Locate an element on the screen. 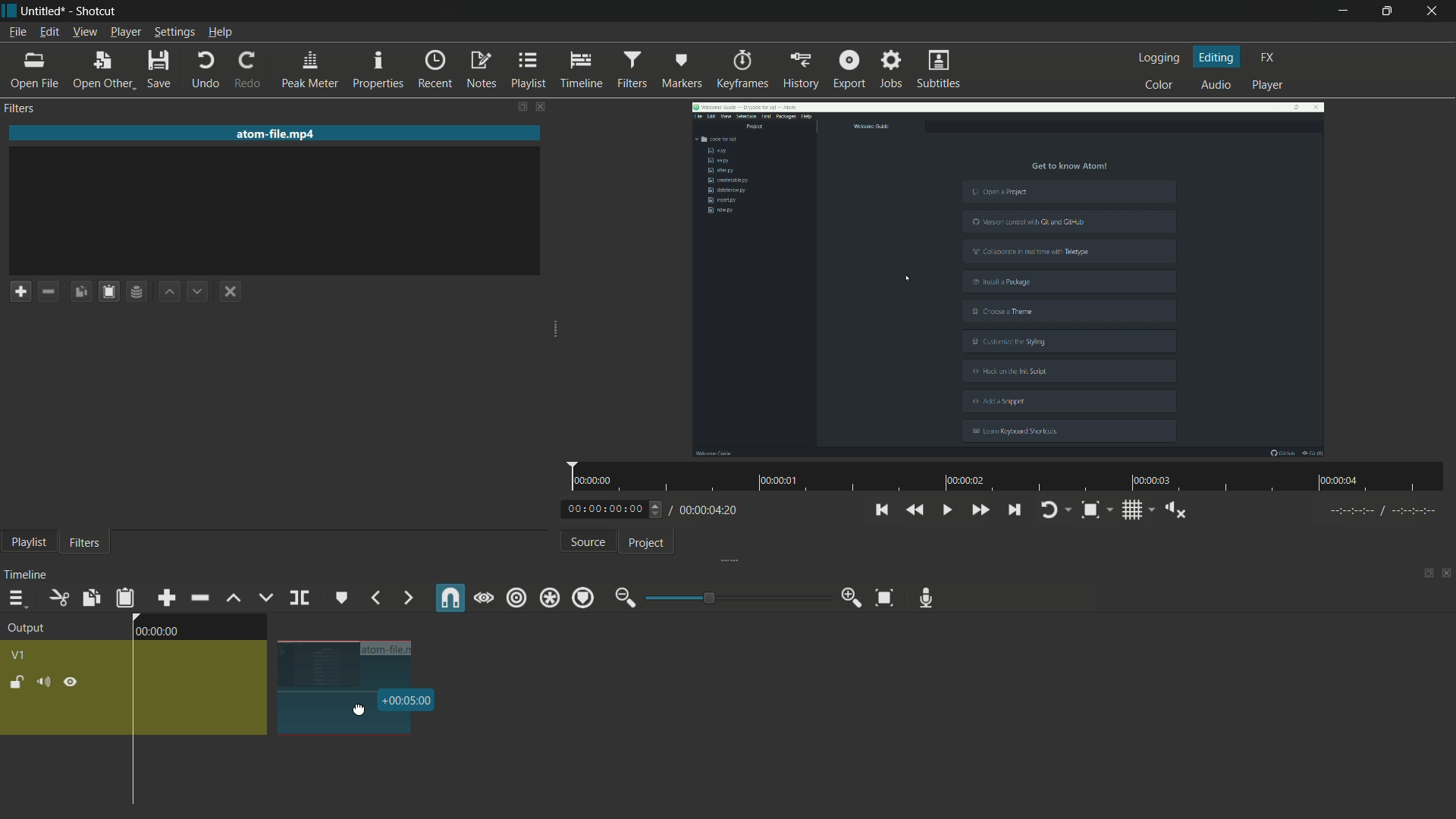 The image size is (1456, 819). timeline is located at coordinates (30, 572).